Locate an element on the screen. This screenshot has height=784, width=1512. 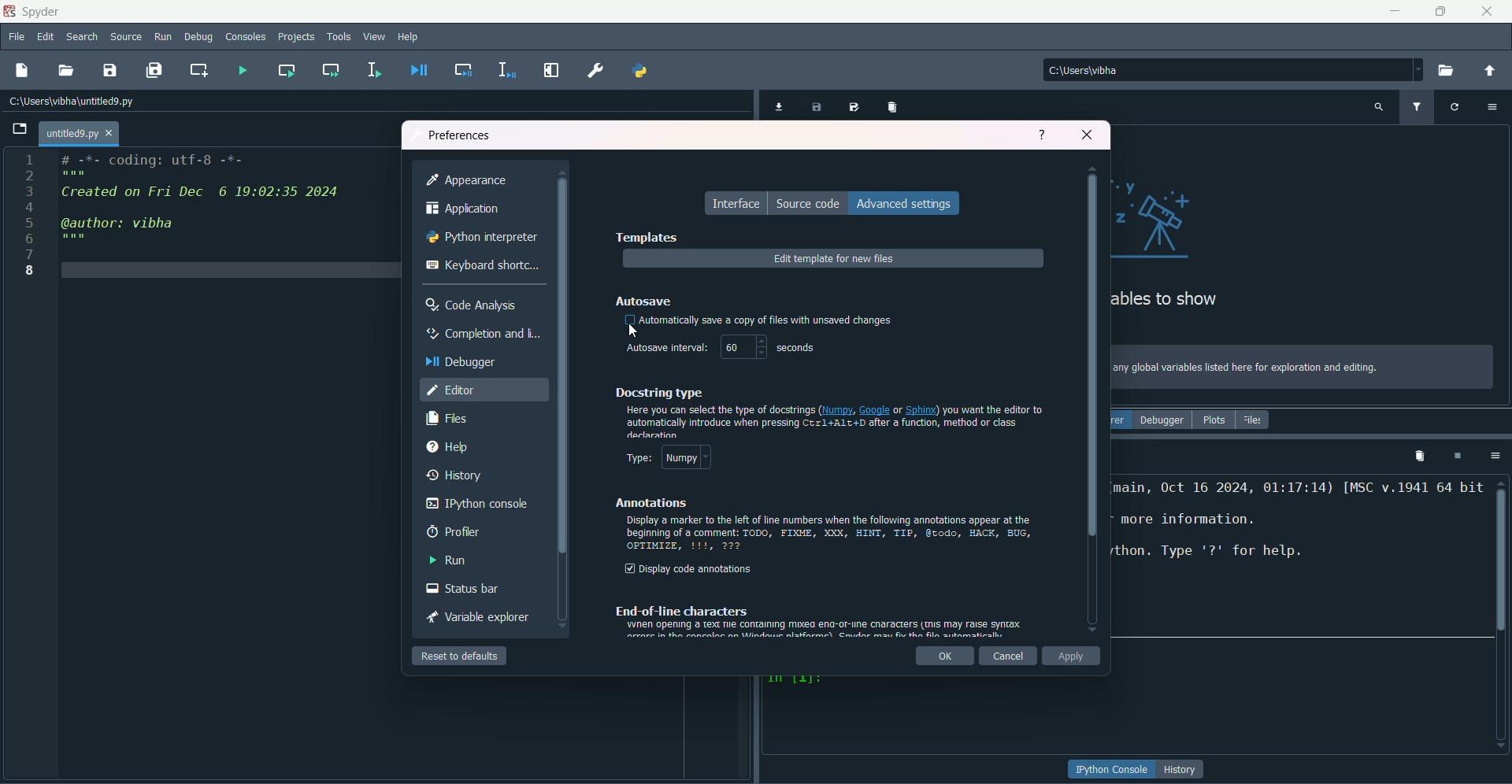
open file is located at coordinates (67, 71).